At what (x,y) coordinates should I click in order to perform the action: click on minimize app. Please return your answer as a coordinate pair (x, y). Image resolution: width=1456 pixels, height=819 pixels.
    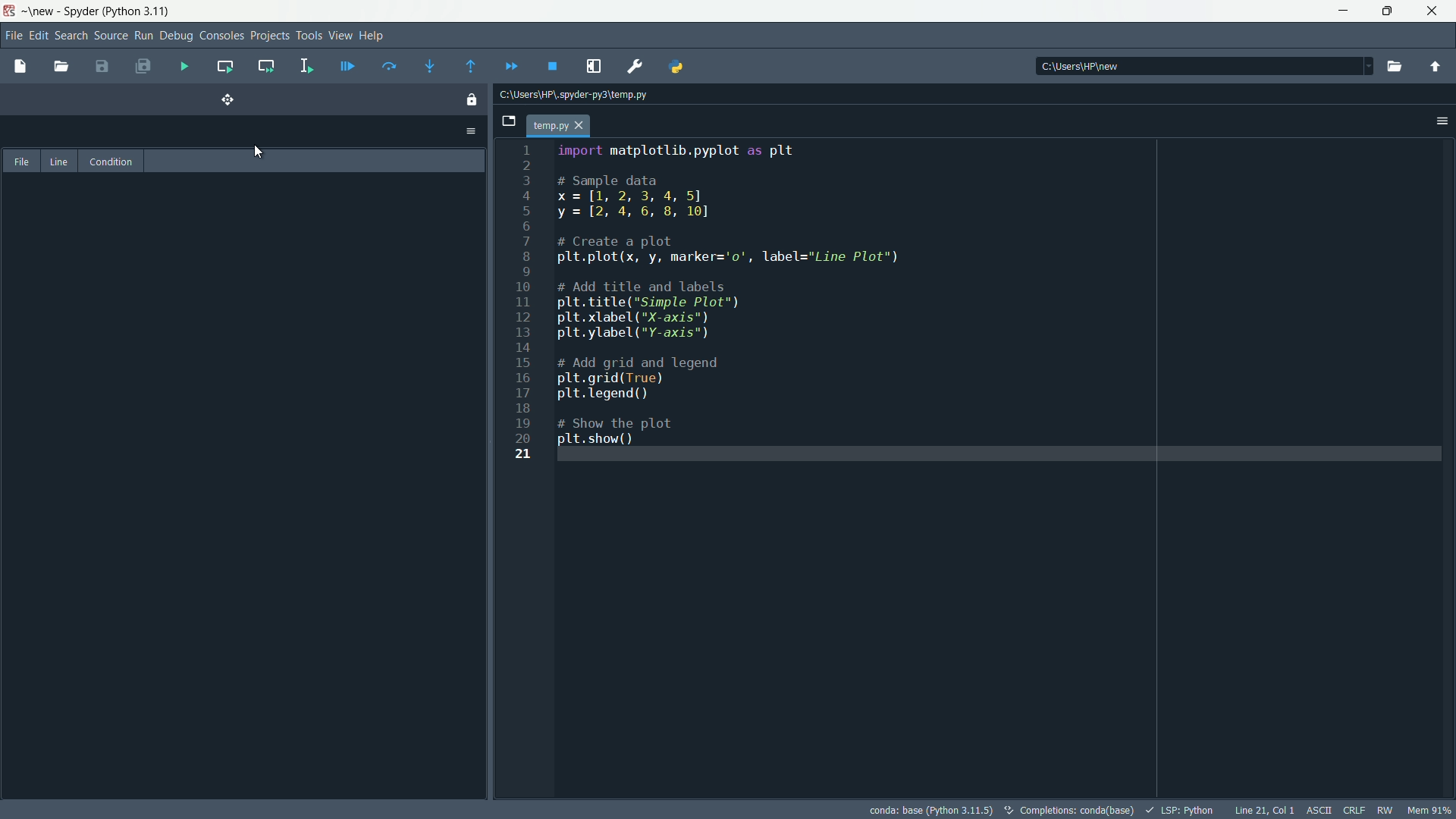
    Looking at the image, I should click on (1341, 11).